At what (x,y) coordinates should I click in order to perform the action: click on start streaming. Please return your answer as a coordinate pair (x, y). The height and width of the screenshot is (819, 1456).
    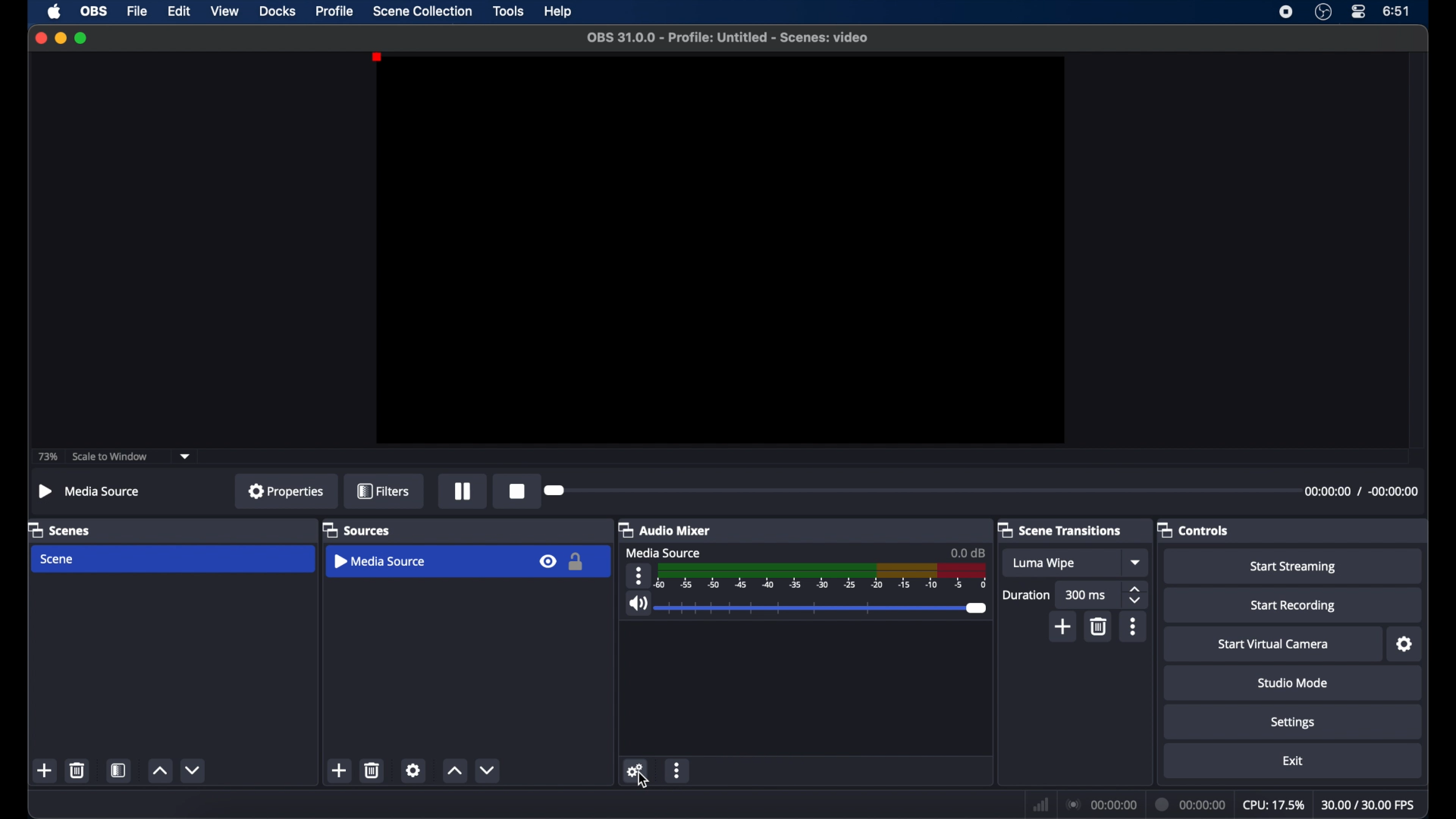
    Looking at the image, I should click on (1294, 567).